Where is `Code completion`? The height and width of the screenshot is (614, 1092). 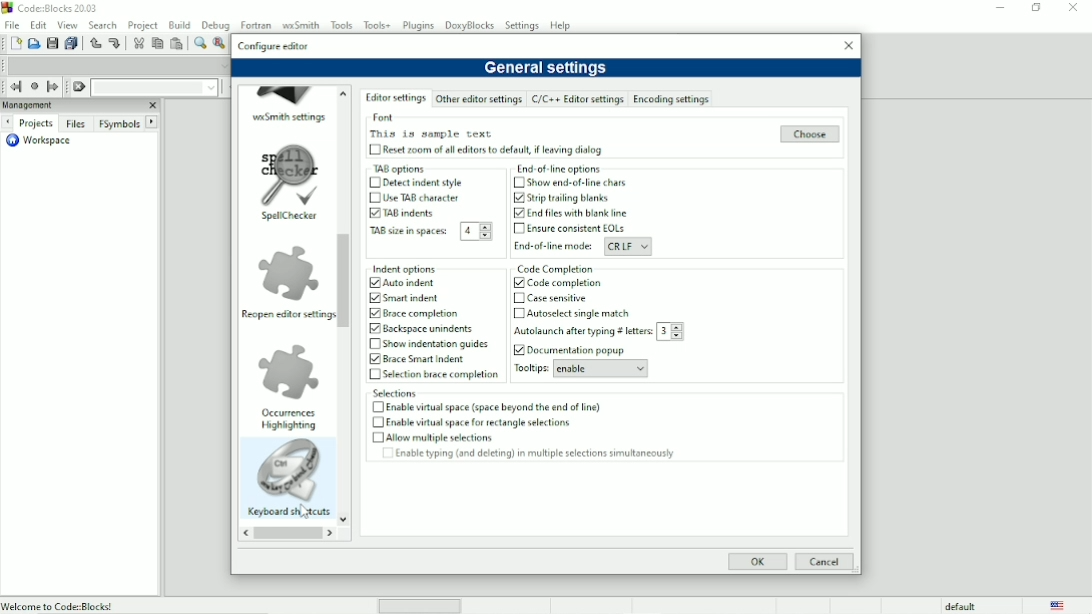
Code completion is located at coordinates (604, 268).